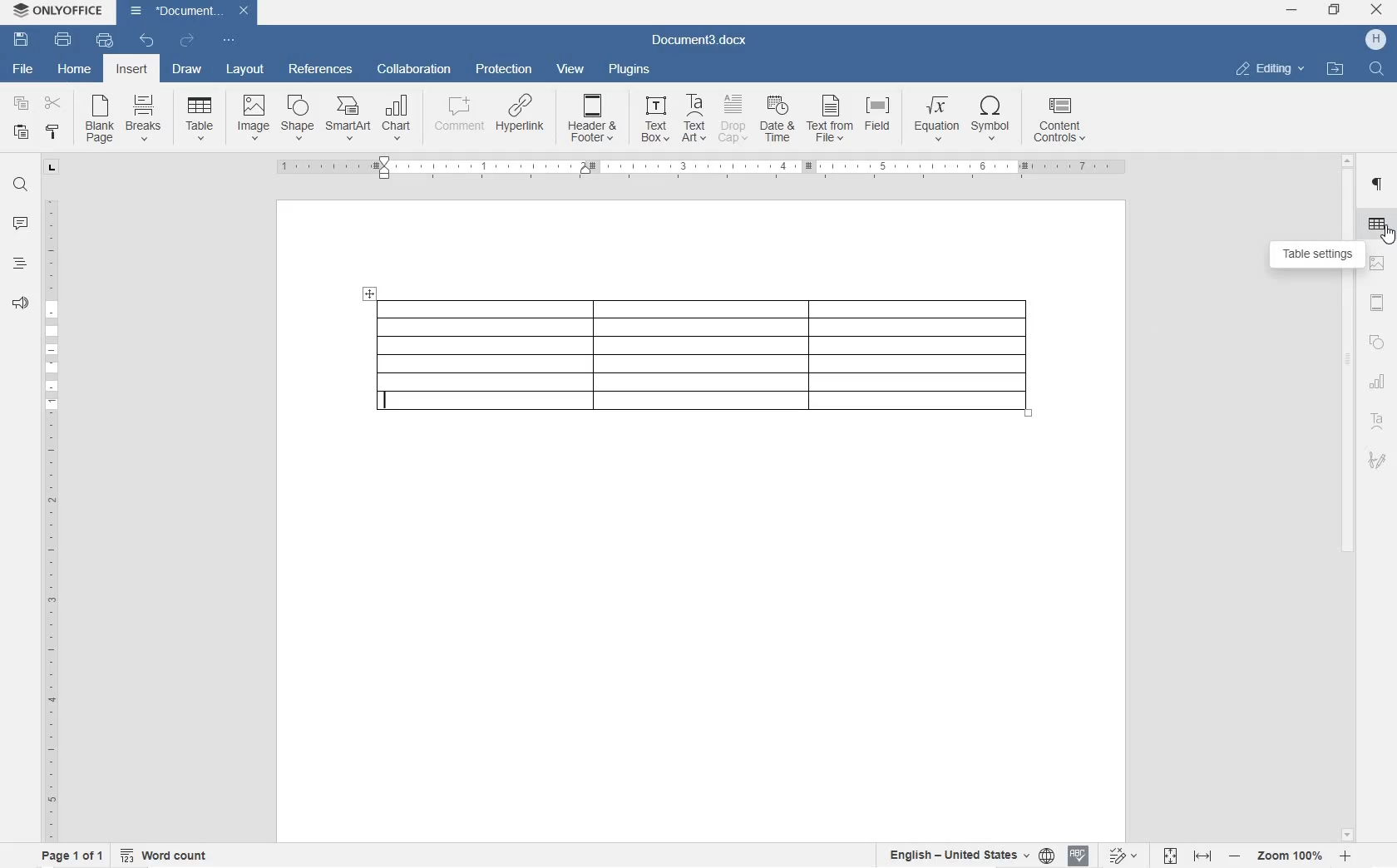 This screenshot has width=1397, height=868. Describe the element at coordinates (1379, 303) in the screenshot. I see `HEADERS & FOOTERS` at that location.